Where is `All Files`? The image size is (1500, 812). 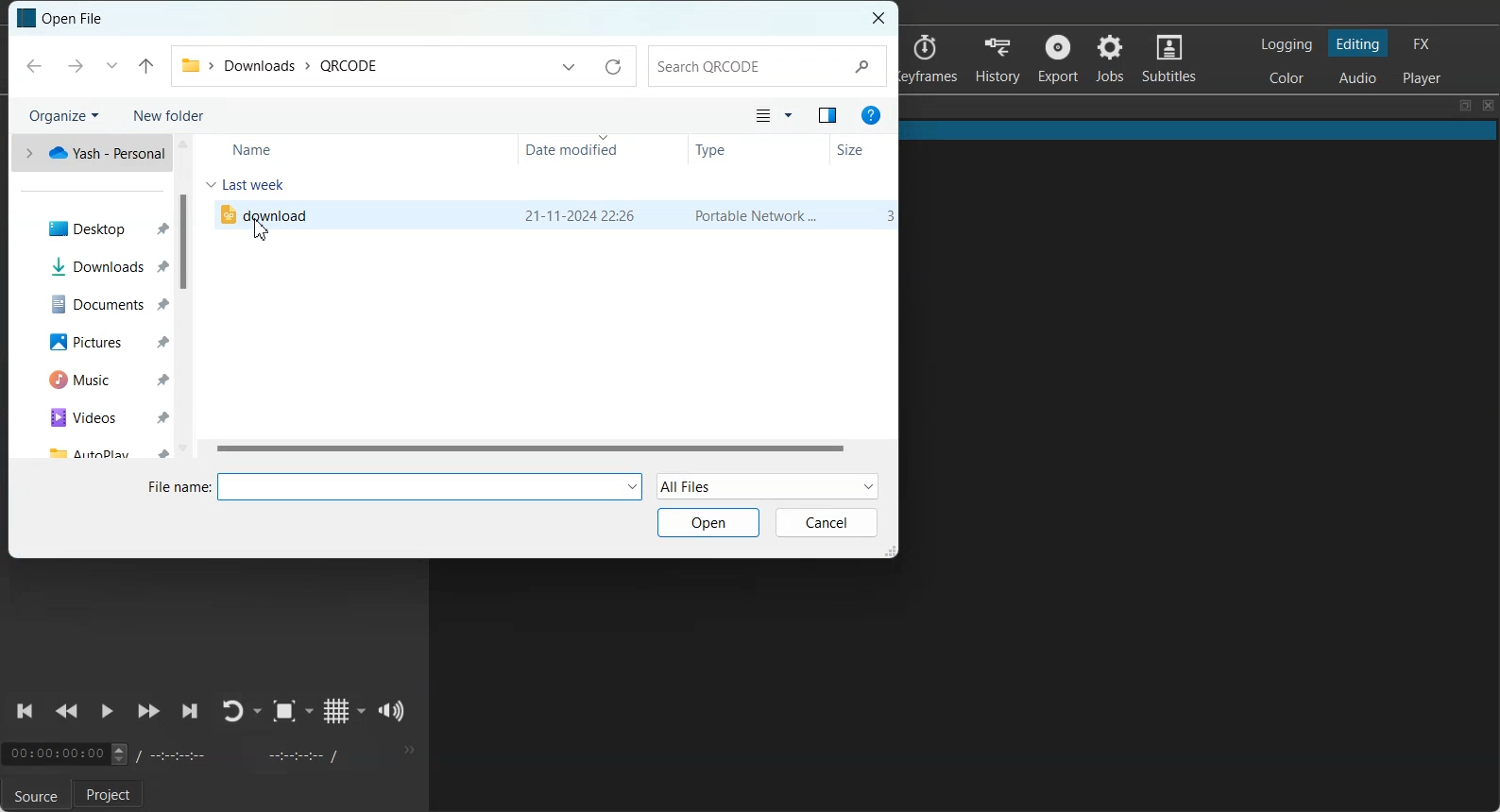
All Files is located at coordinates (767, 486).